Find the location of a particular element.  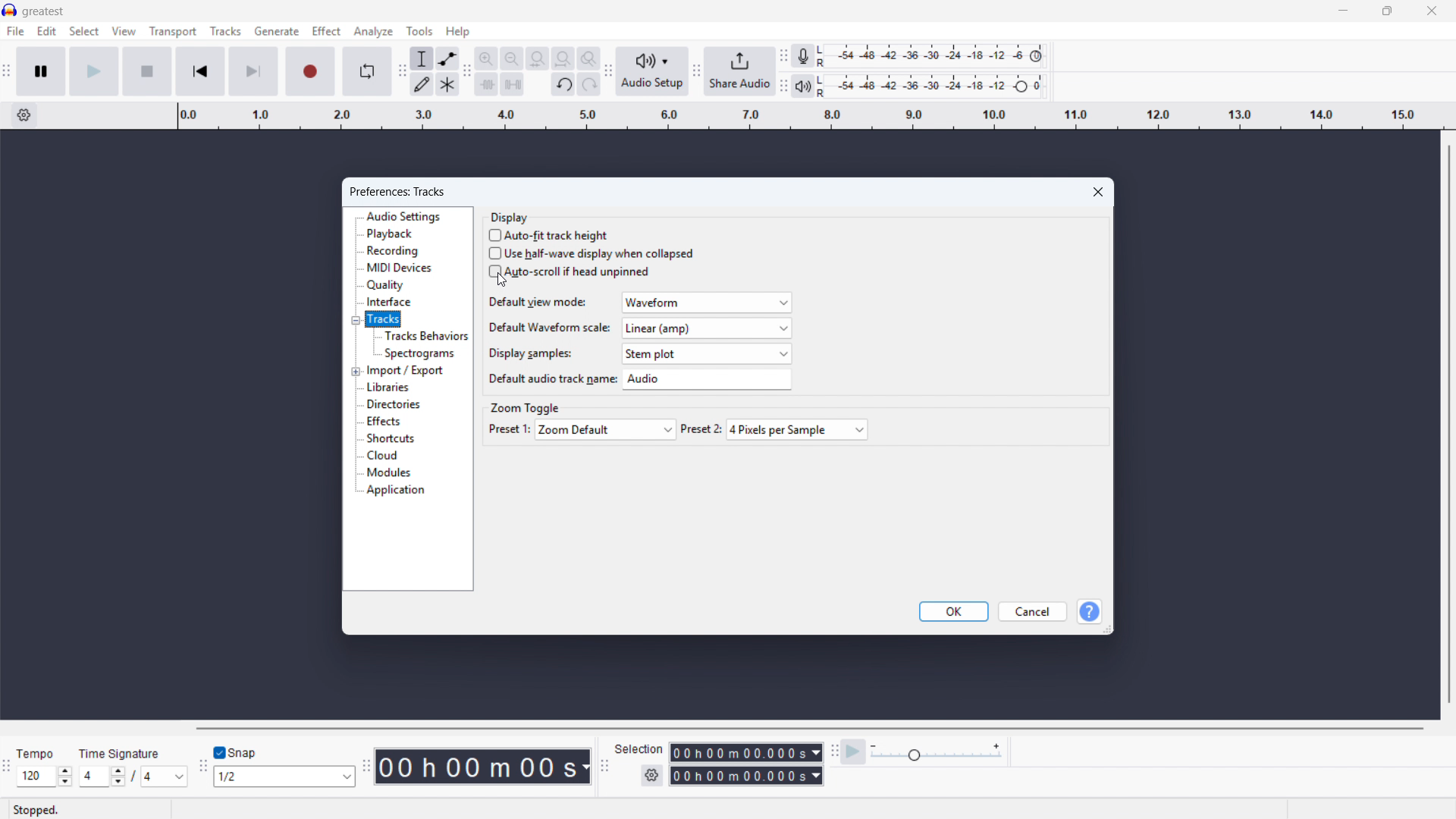

Default audio track name  is located at coordinates (708, 380).